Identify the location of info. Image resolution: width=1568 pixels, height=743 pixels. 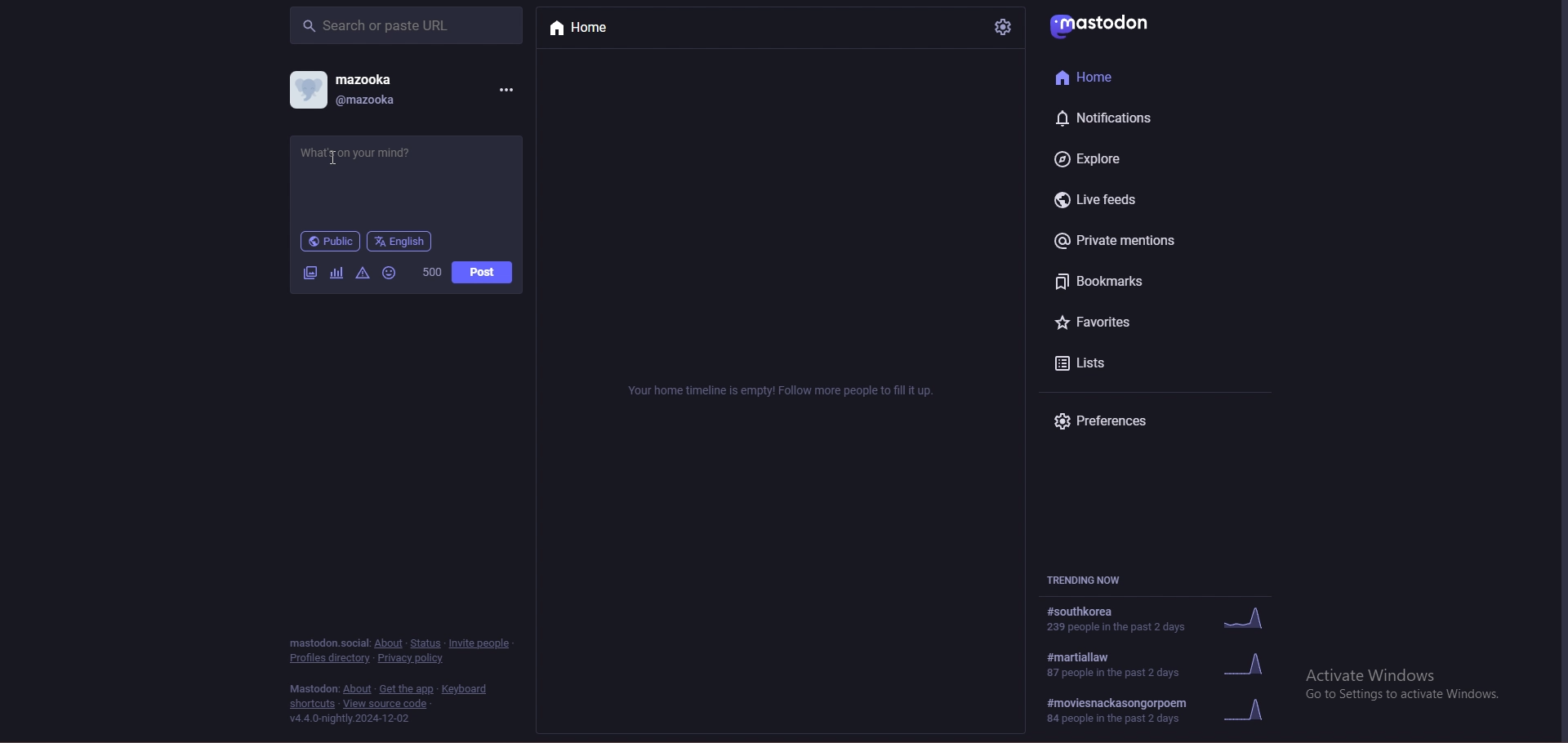
(783, 390).